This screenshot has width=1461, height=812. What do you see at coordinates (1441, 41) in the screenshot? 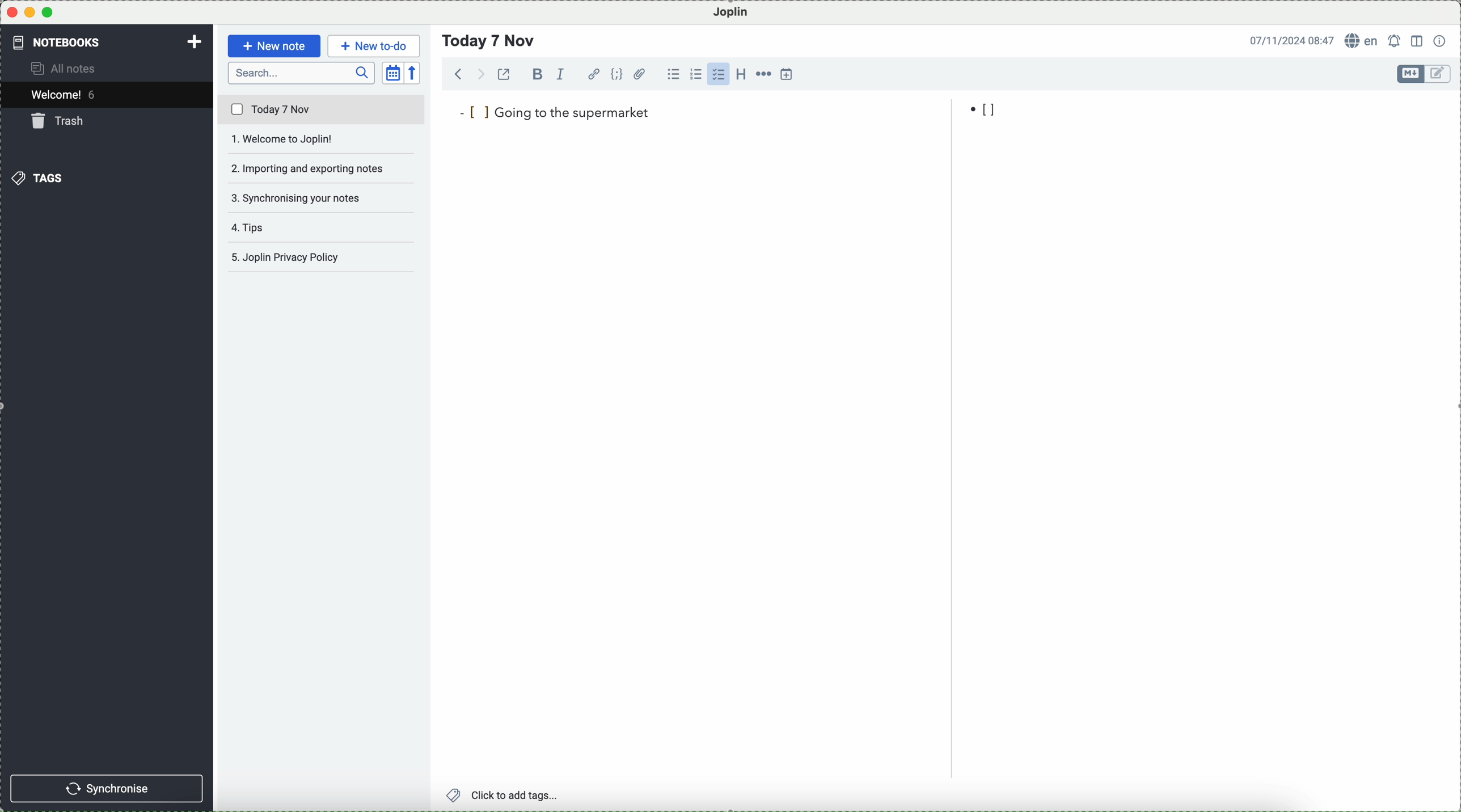
I see `note properties` at bounding box center [1441, 41].